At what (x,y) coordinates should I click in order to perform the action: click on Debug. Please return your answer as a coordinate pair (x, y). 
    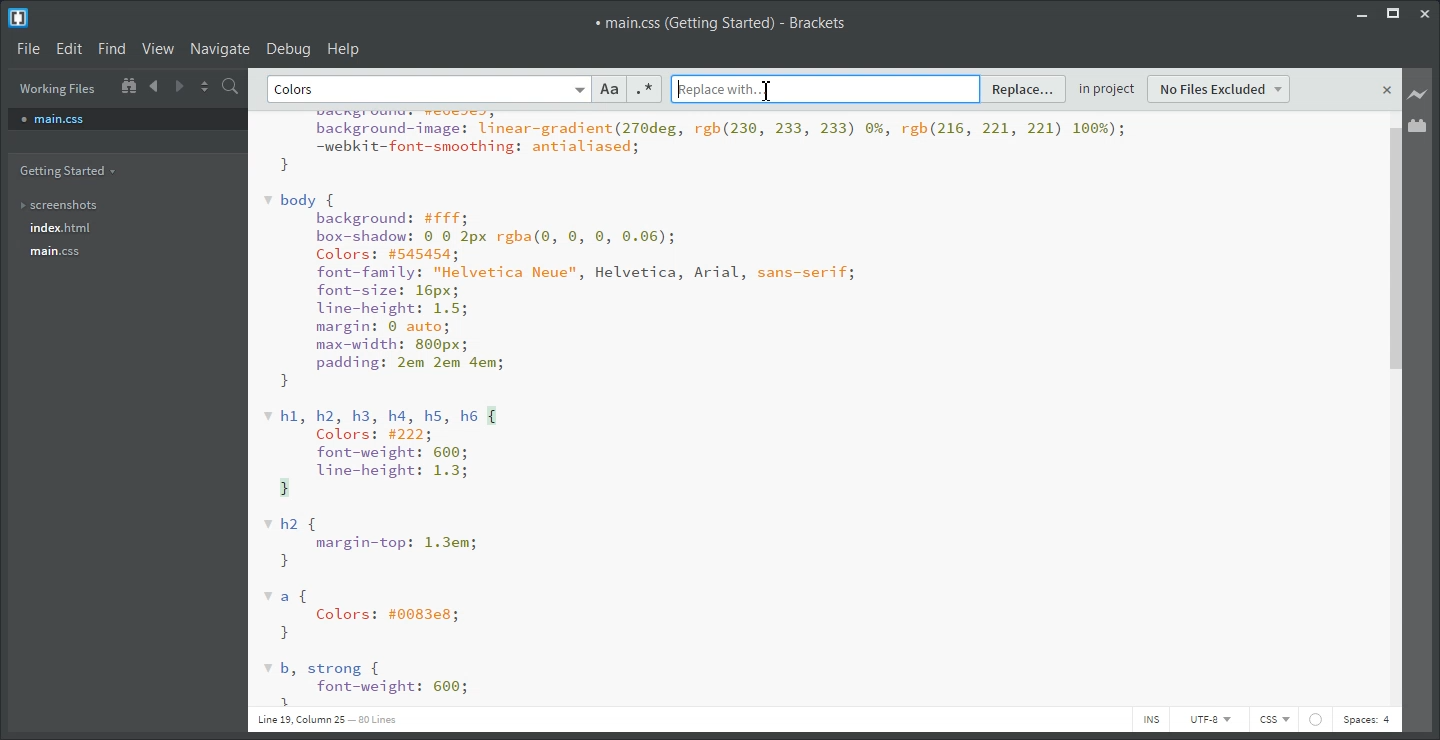
    Looking at the image, I should click on (289, 48).